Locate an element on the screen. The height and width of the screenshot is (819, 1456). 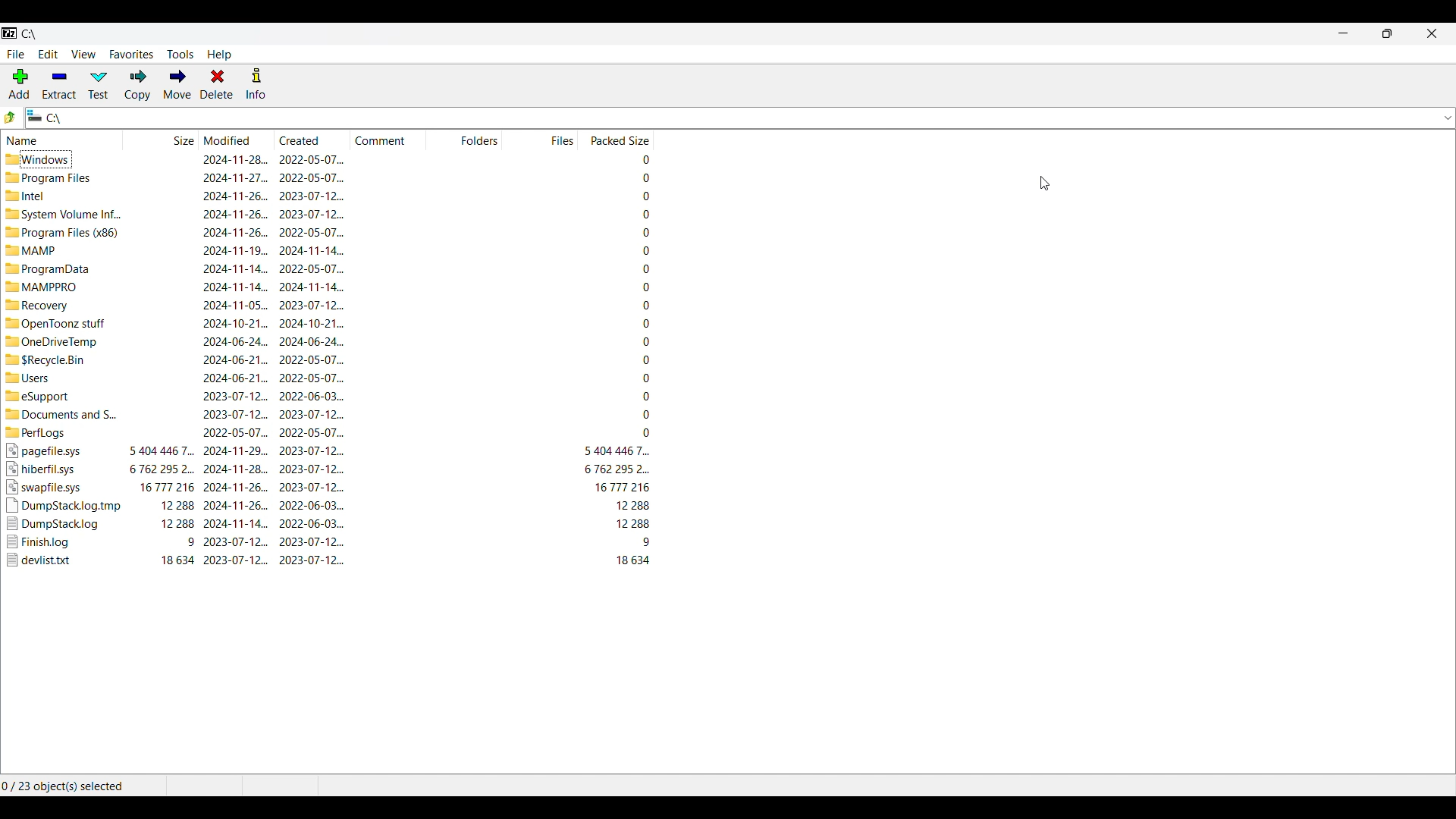
Recovery is located at coordinates (55, 305).